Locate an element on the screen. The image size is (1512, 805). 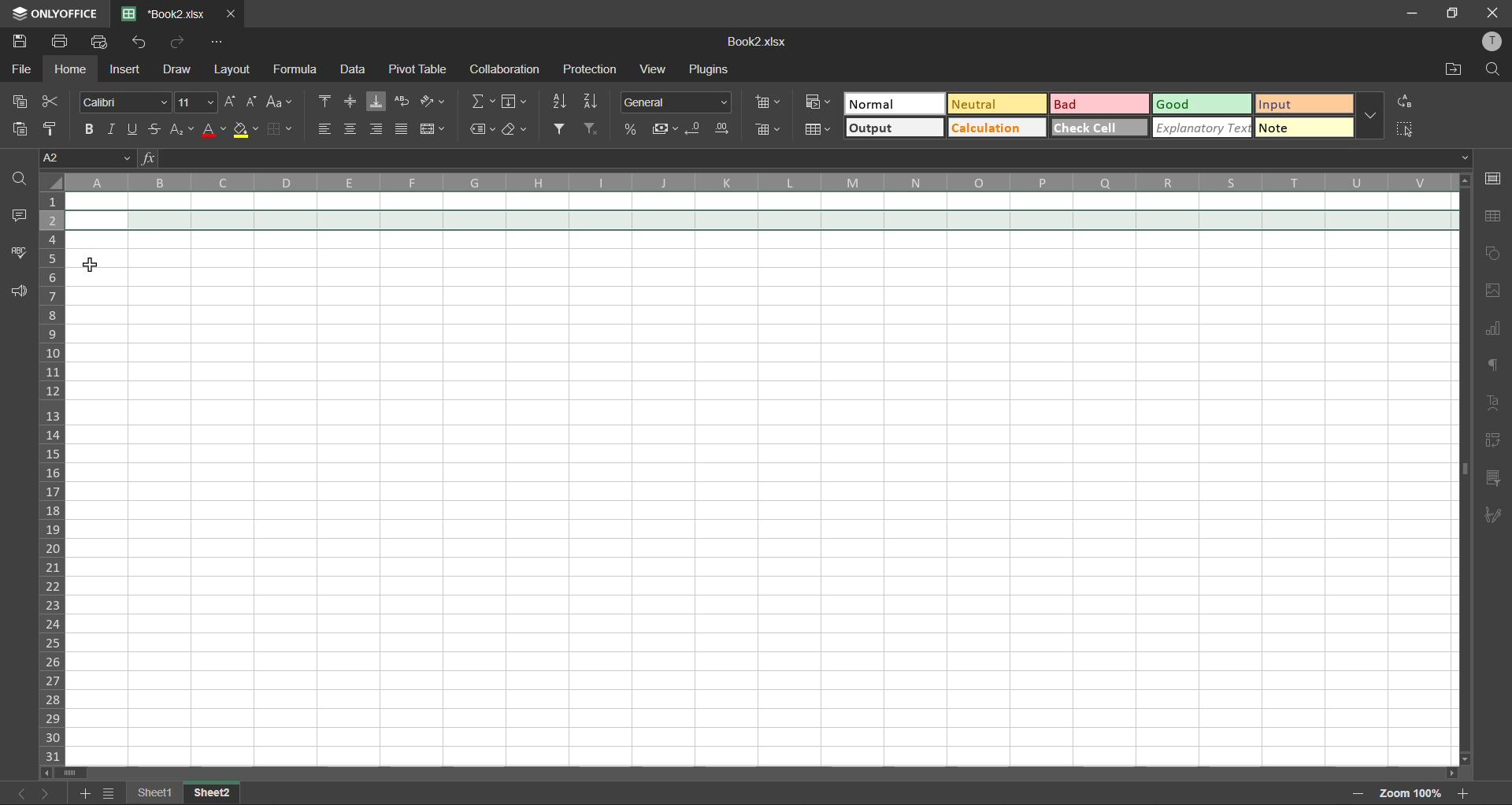
percent is located at coordinates (635, 131).